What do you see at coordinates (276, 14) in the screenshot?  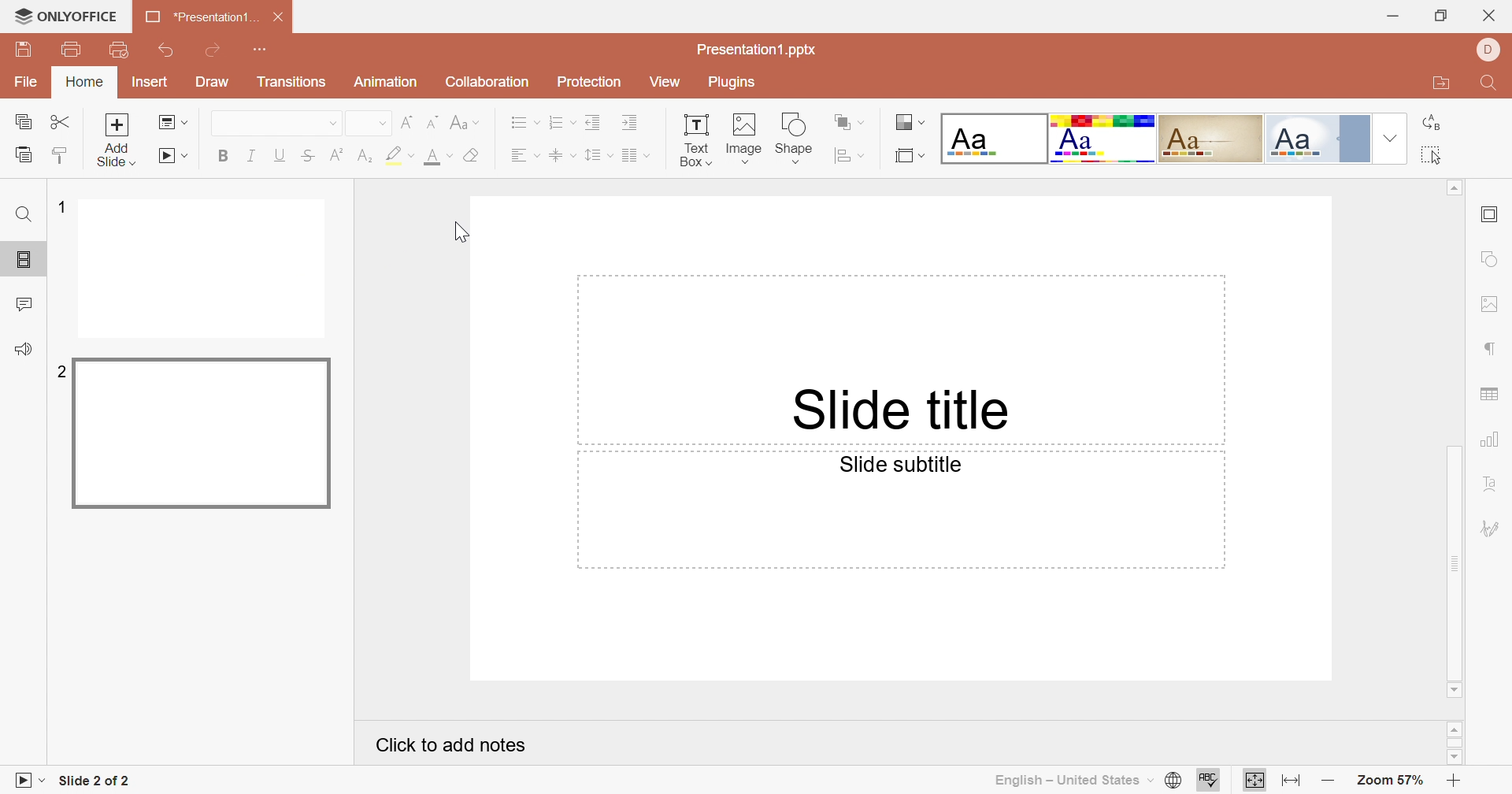 I see `Close` at bounding box center [276, 14].